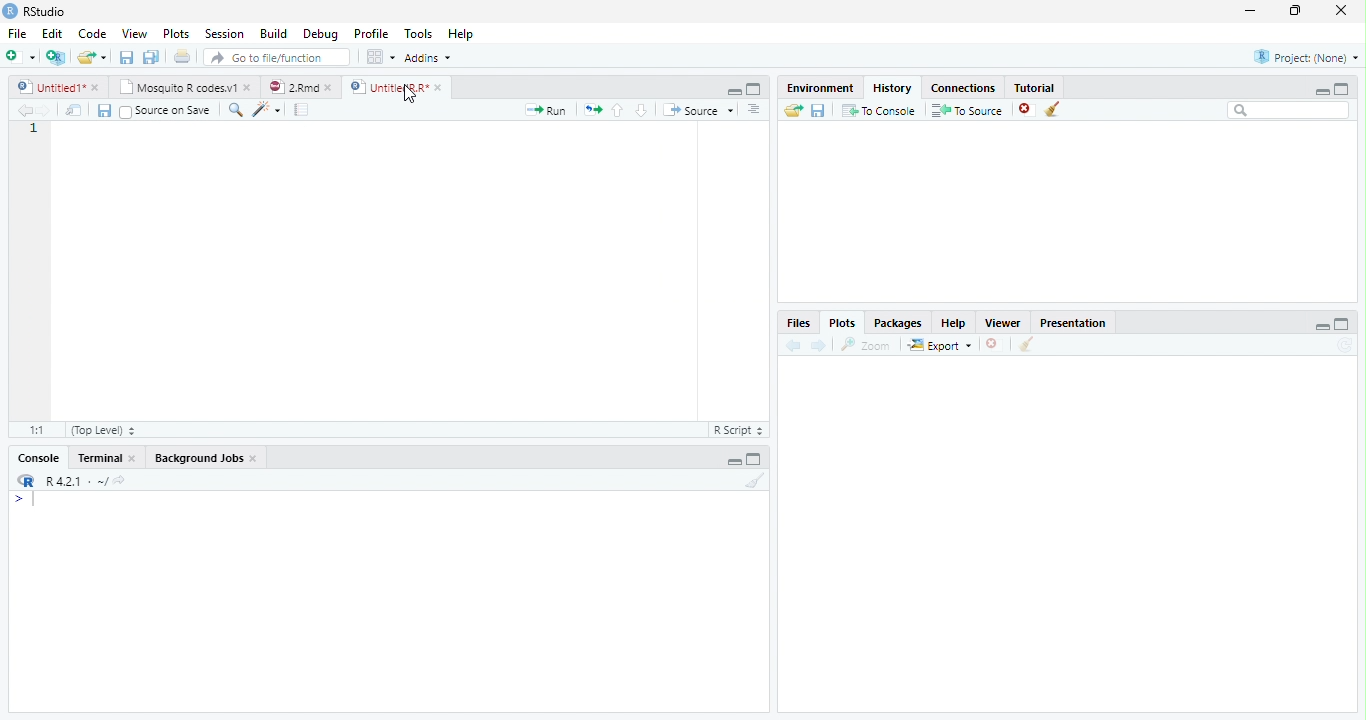  What do you see at coordinates (793, 345) in the screenshot?
I see `Previous plot` at bounding box center [793, 345].